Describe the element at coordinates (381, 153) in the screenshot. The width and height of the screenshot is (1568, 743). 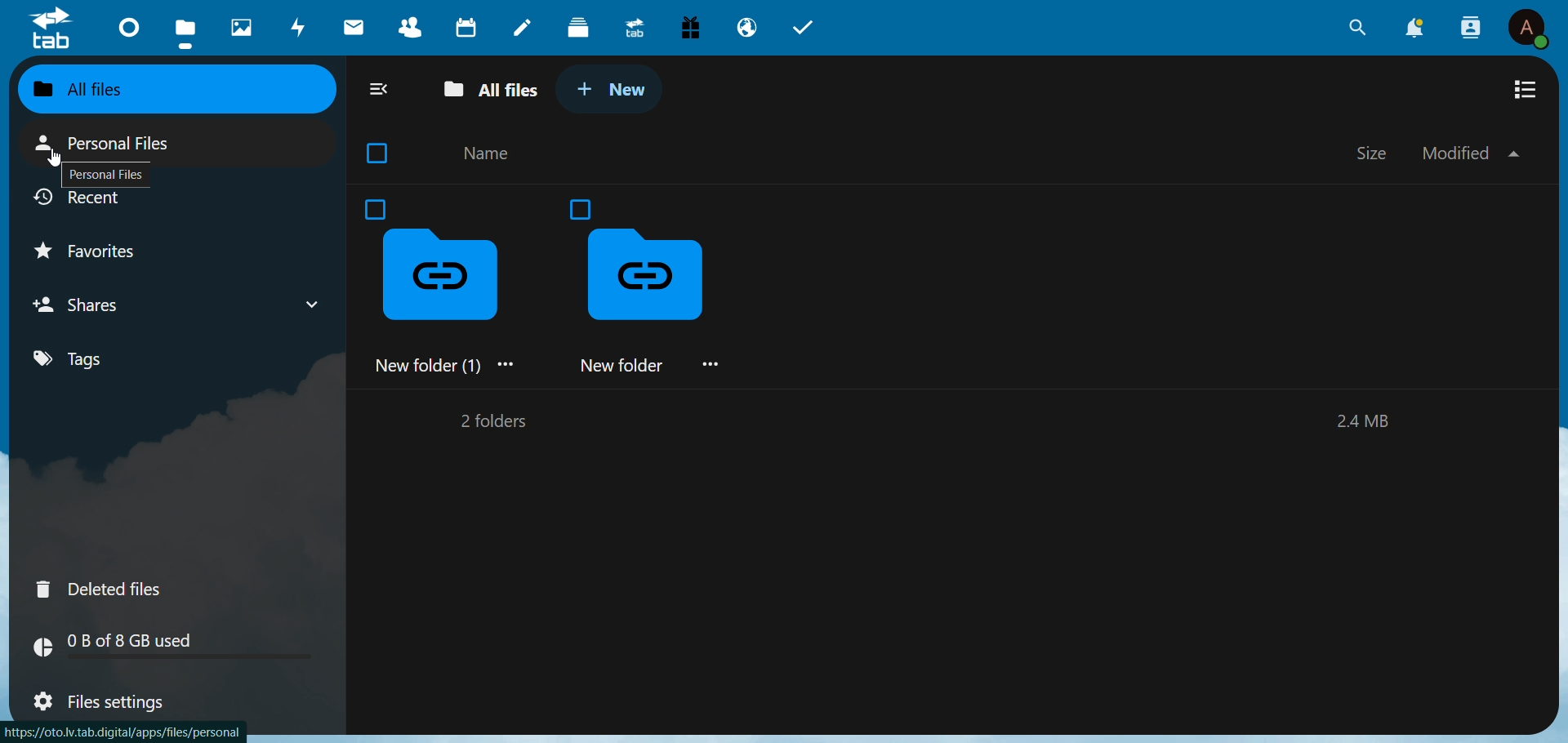
I see `select` at that location.